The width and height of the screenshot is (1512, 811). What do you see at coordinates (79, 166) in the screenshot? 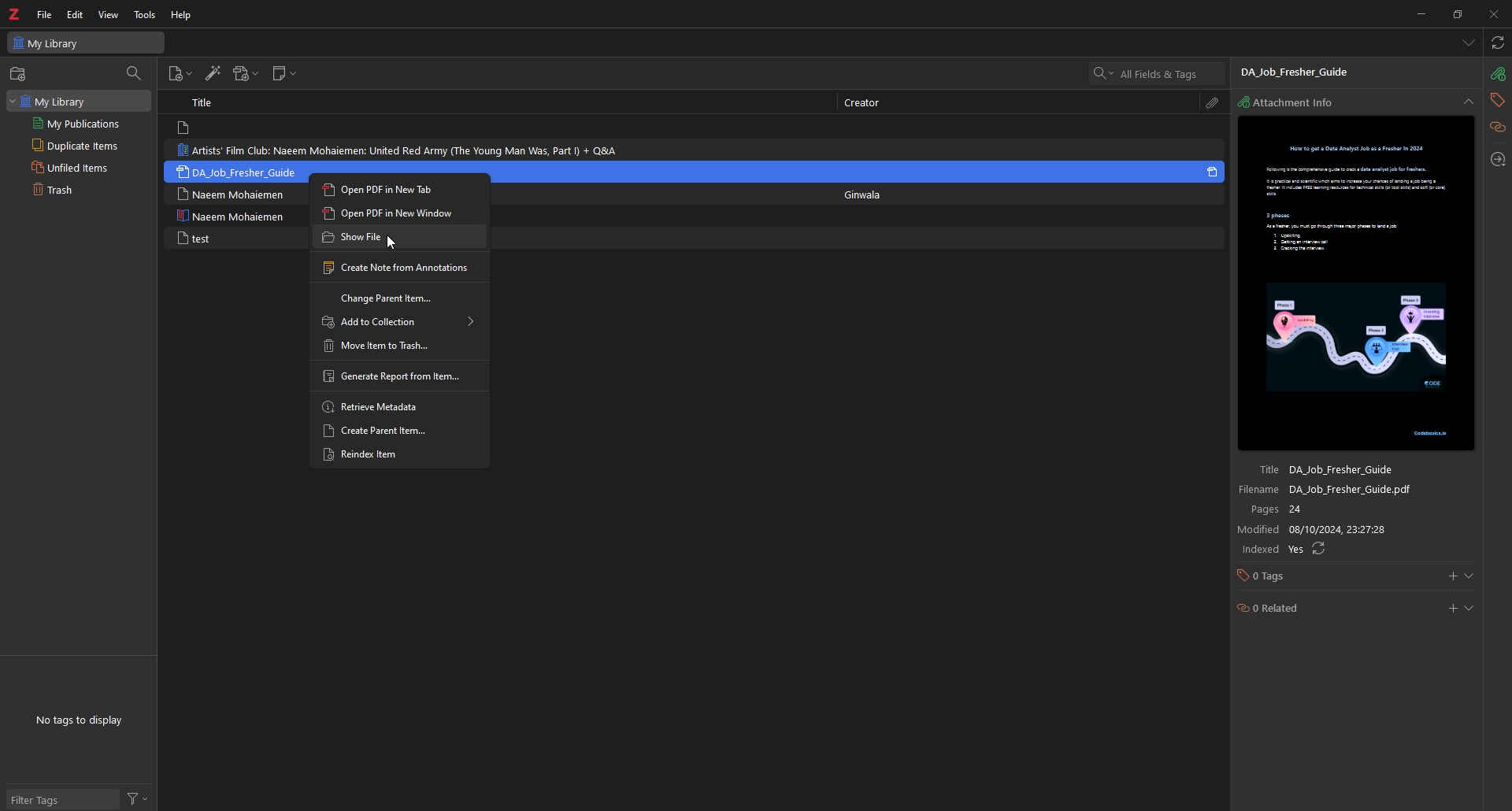
I see `unfiled items` at bounding box center [79, 166].